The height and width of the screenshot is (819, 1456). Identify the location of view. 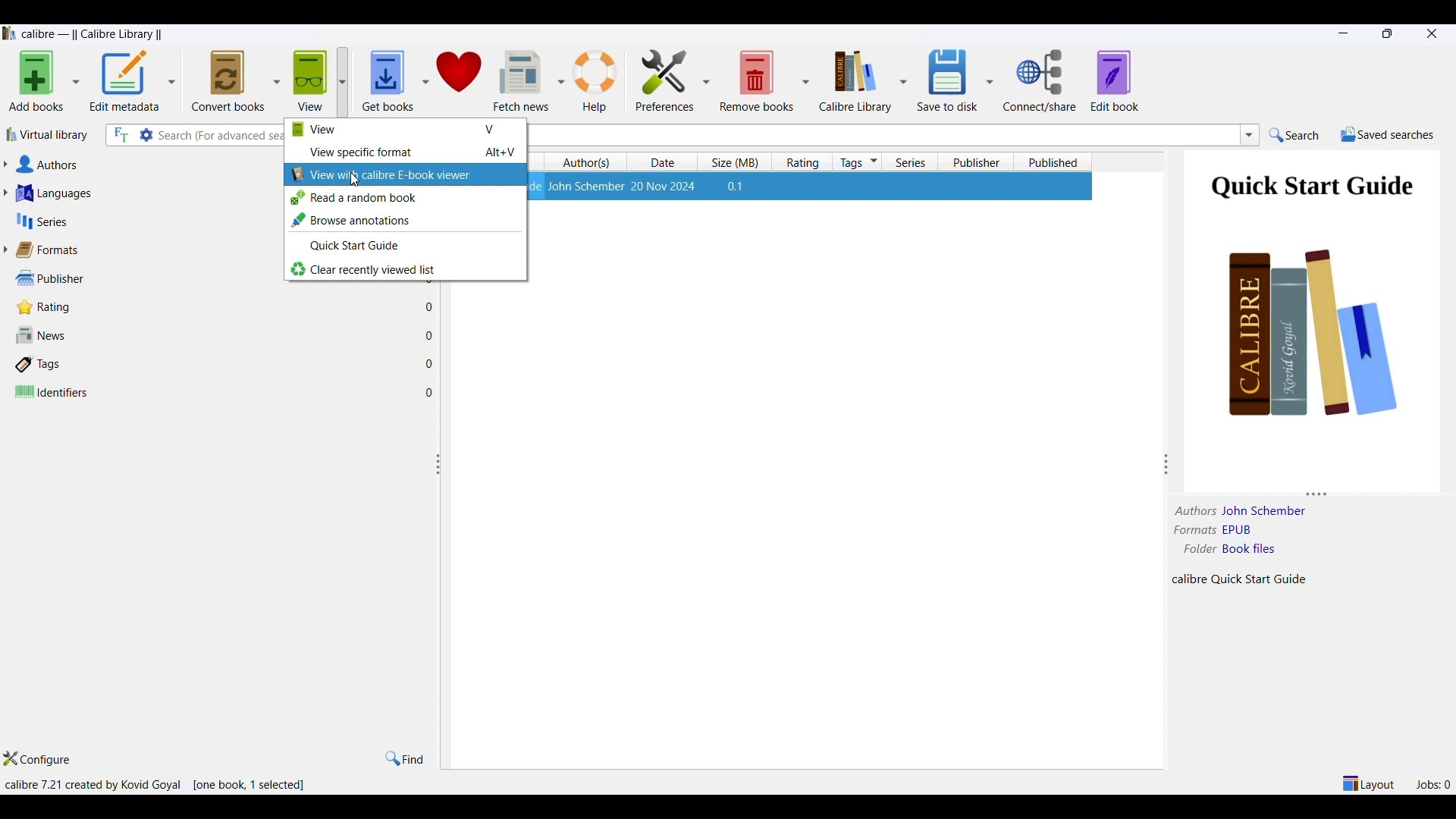
(309, 83).